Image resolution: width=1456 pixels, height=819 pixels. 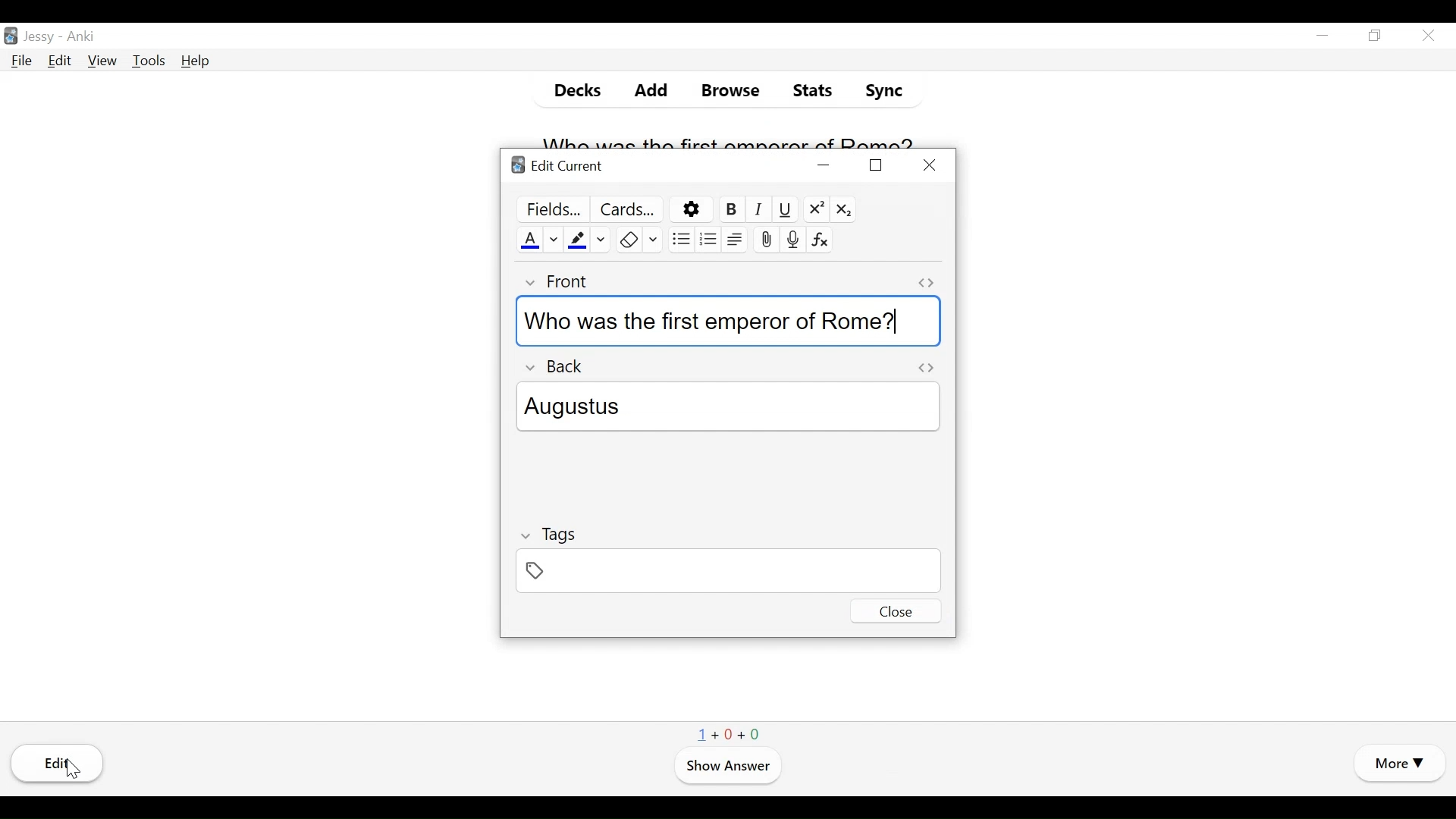 I want to click on Browse, so click(x=726, y=90).